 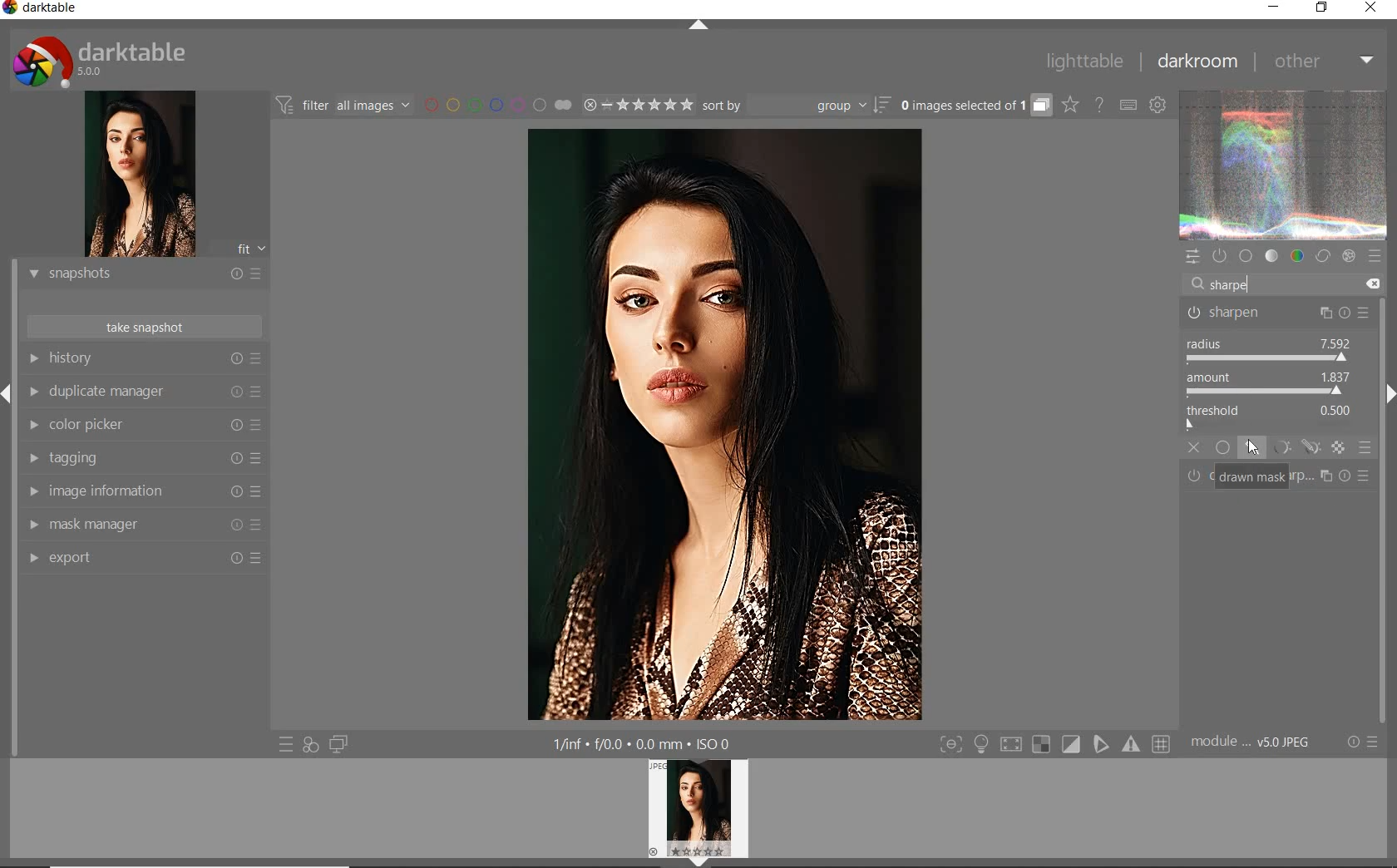 What do you see at coordinates (1098, 104) in the screenshot?
I see `enable online help` at bounding box center [1098, 104].